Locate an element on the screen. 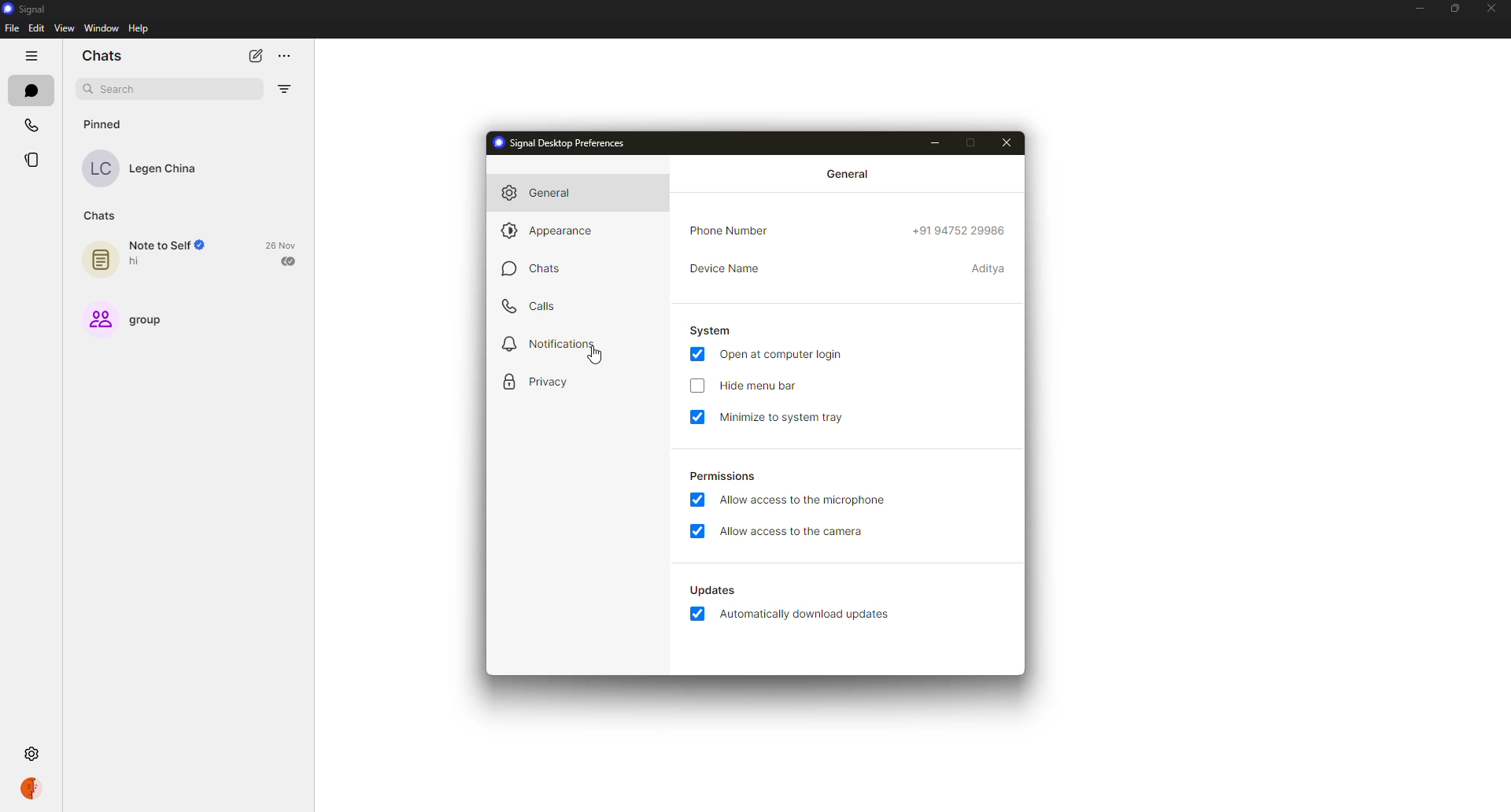  chats is located at coordinates (104, 216).